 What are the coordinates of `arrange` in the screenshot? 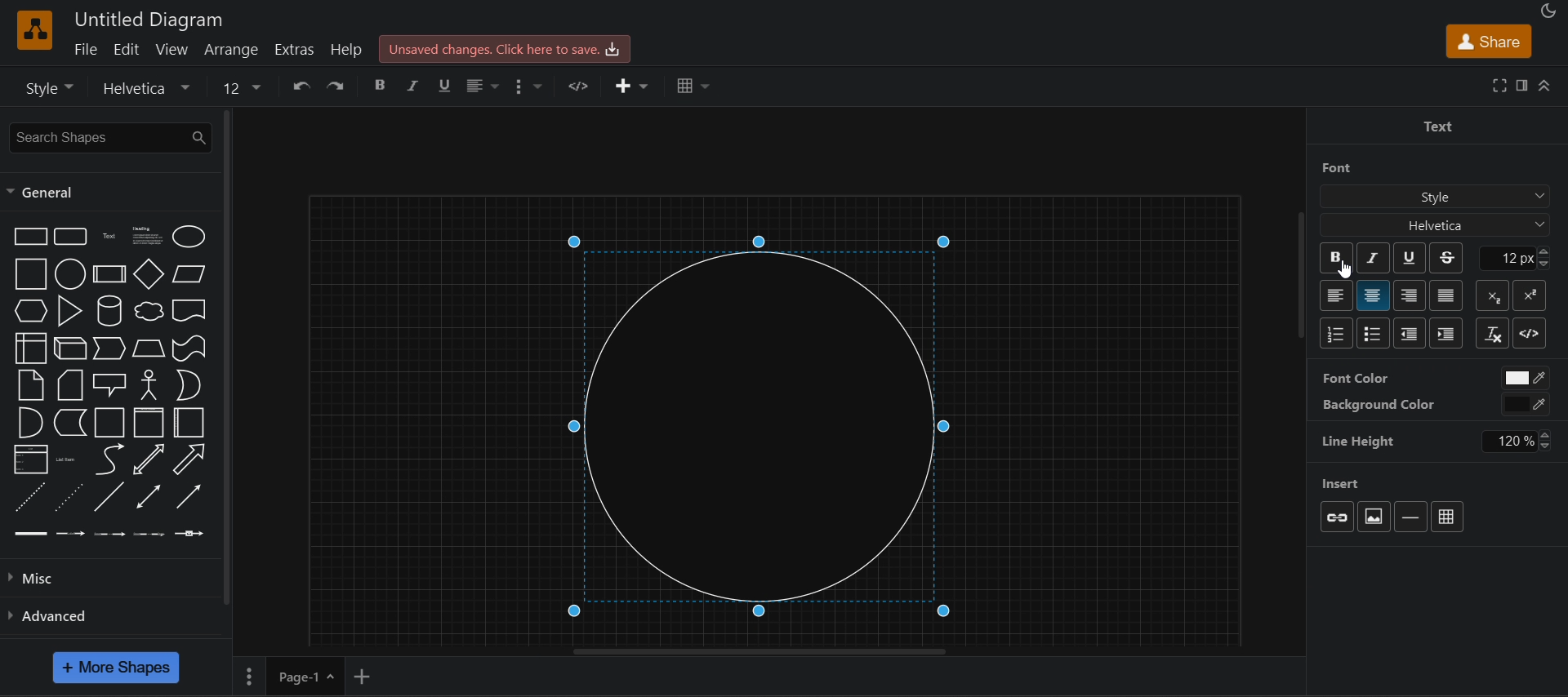 It's located at (231, 50).